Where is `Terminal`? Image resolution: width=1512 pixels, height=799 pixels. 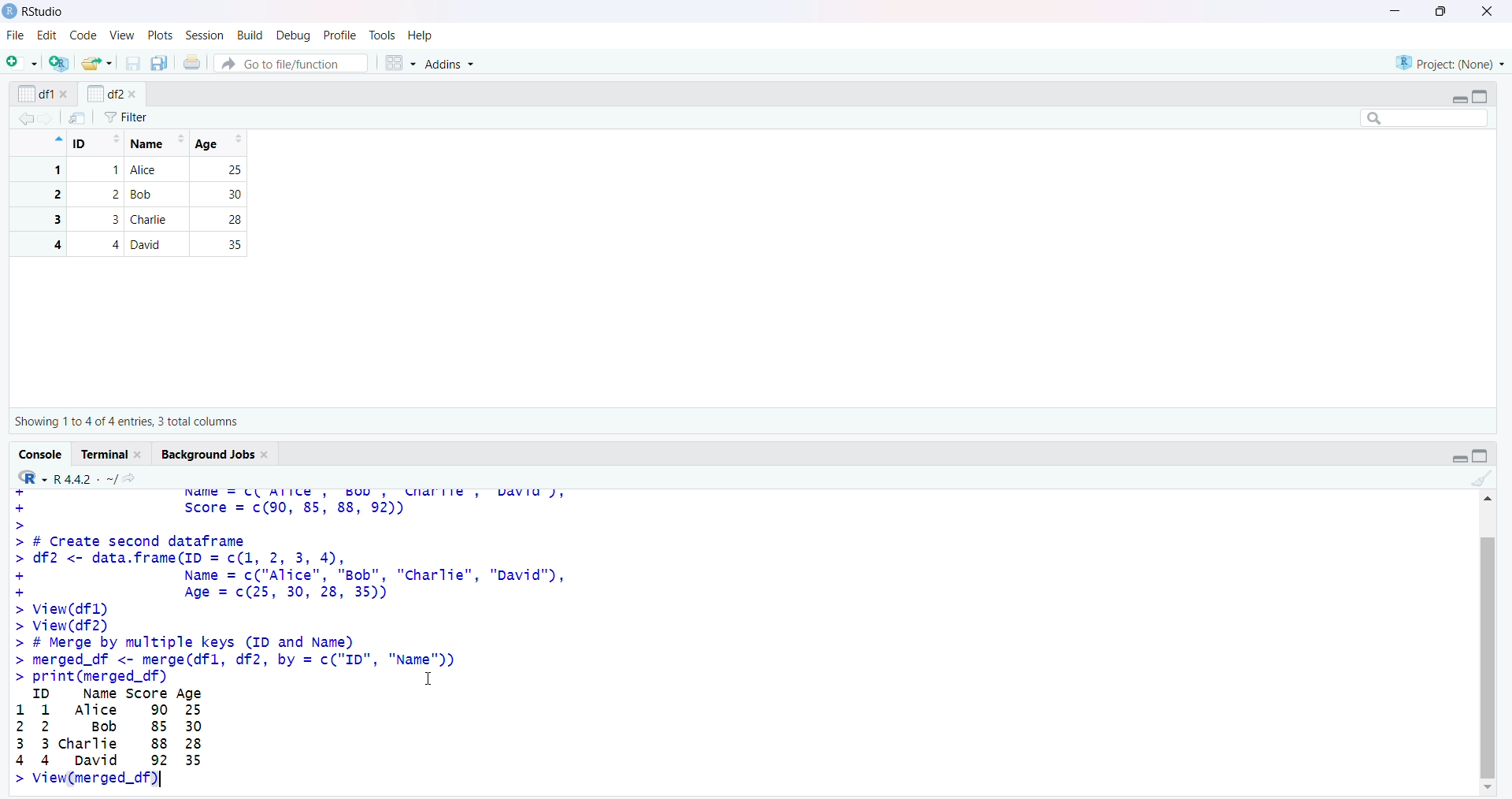
Terminal is located at coordinates (106, 454).